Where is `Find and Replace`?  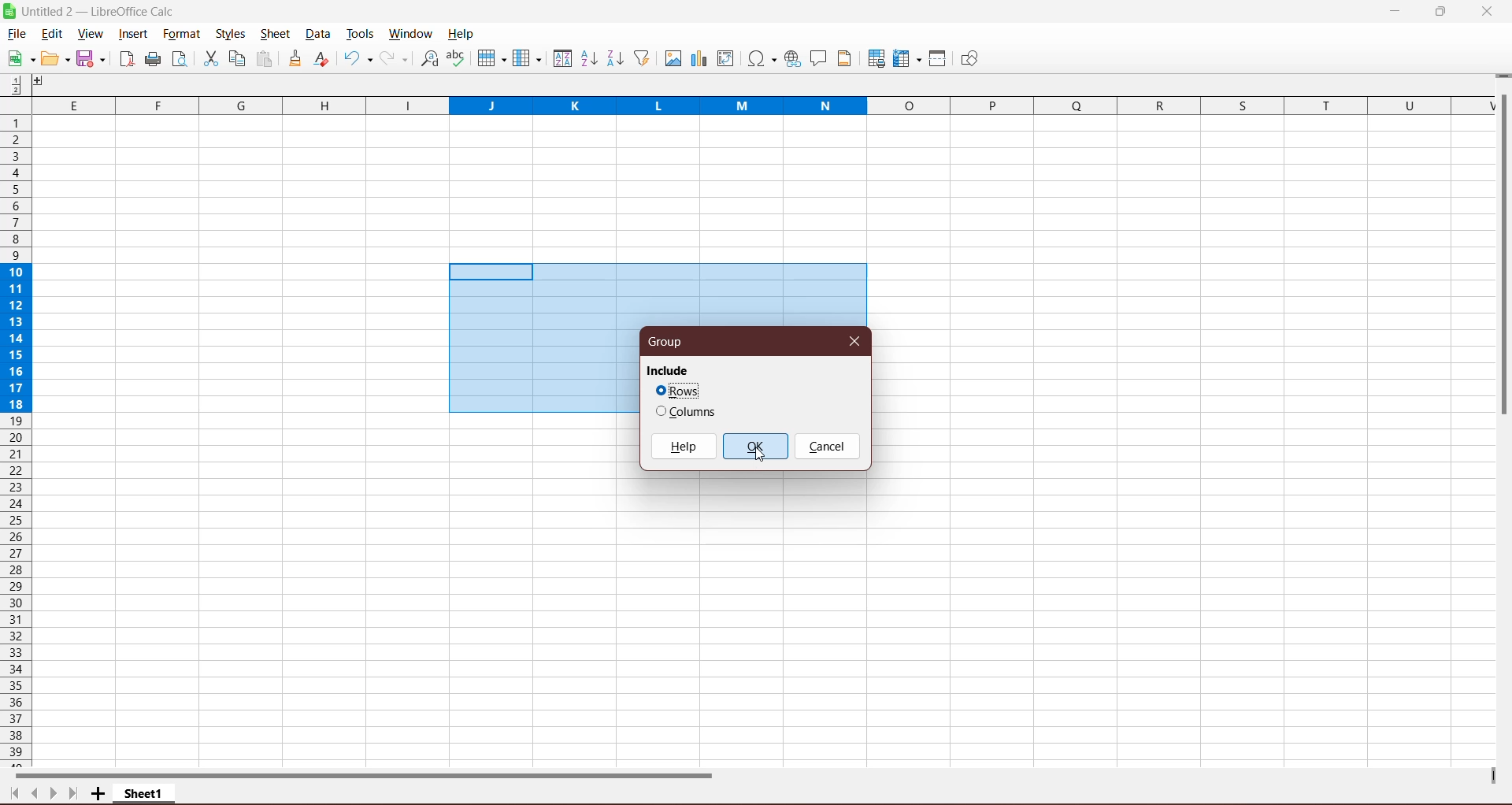
Find and Replace is located at coordinates (429, 58).